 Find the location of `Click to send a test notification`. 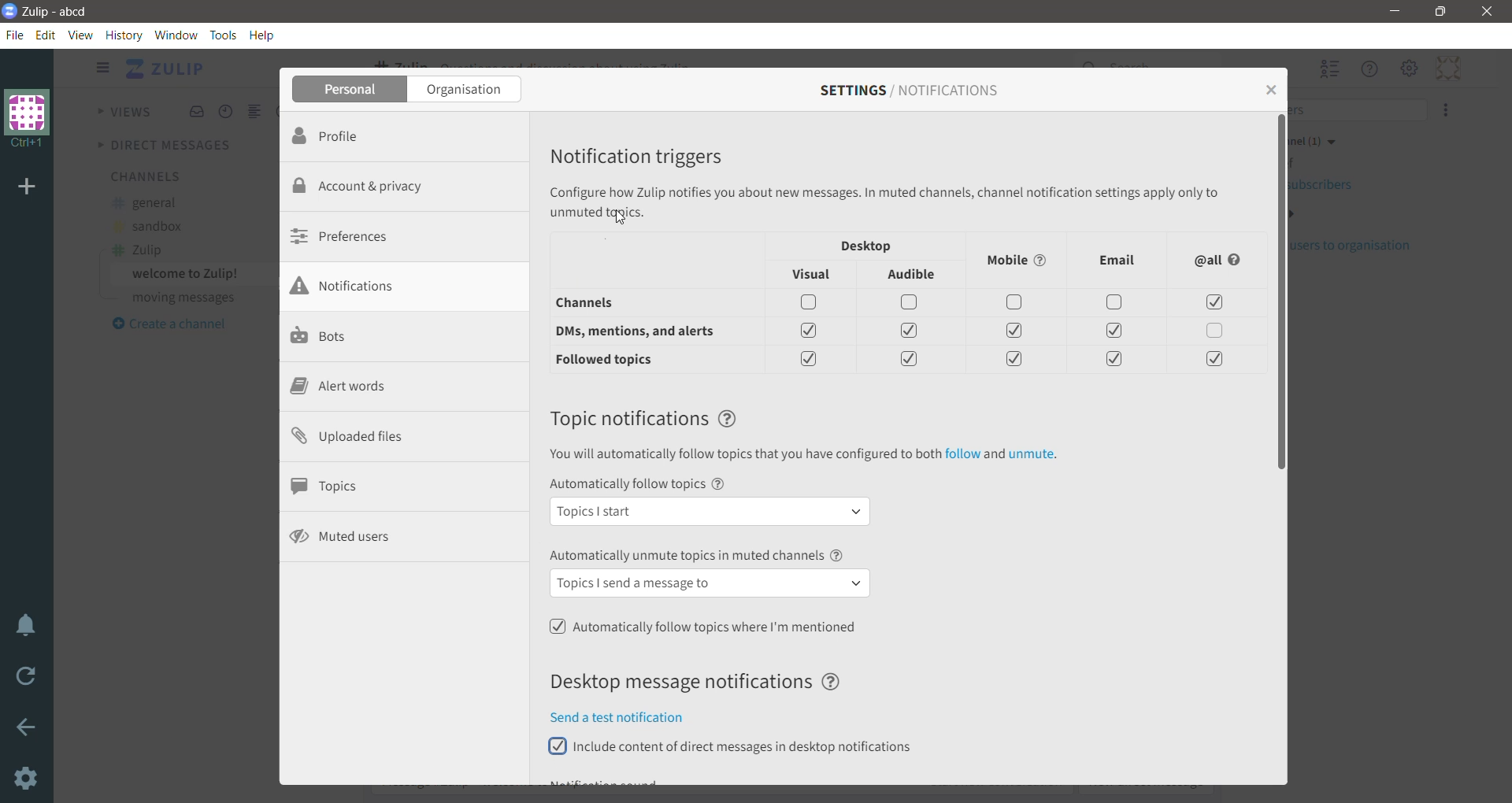

Click to send a test notification is located at coordinates (631, 717).